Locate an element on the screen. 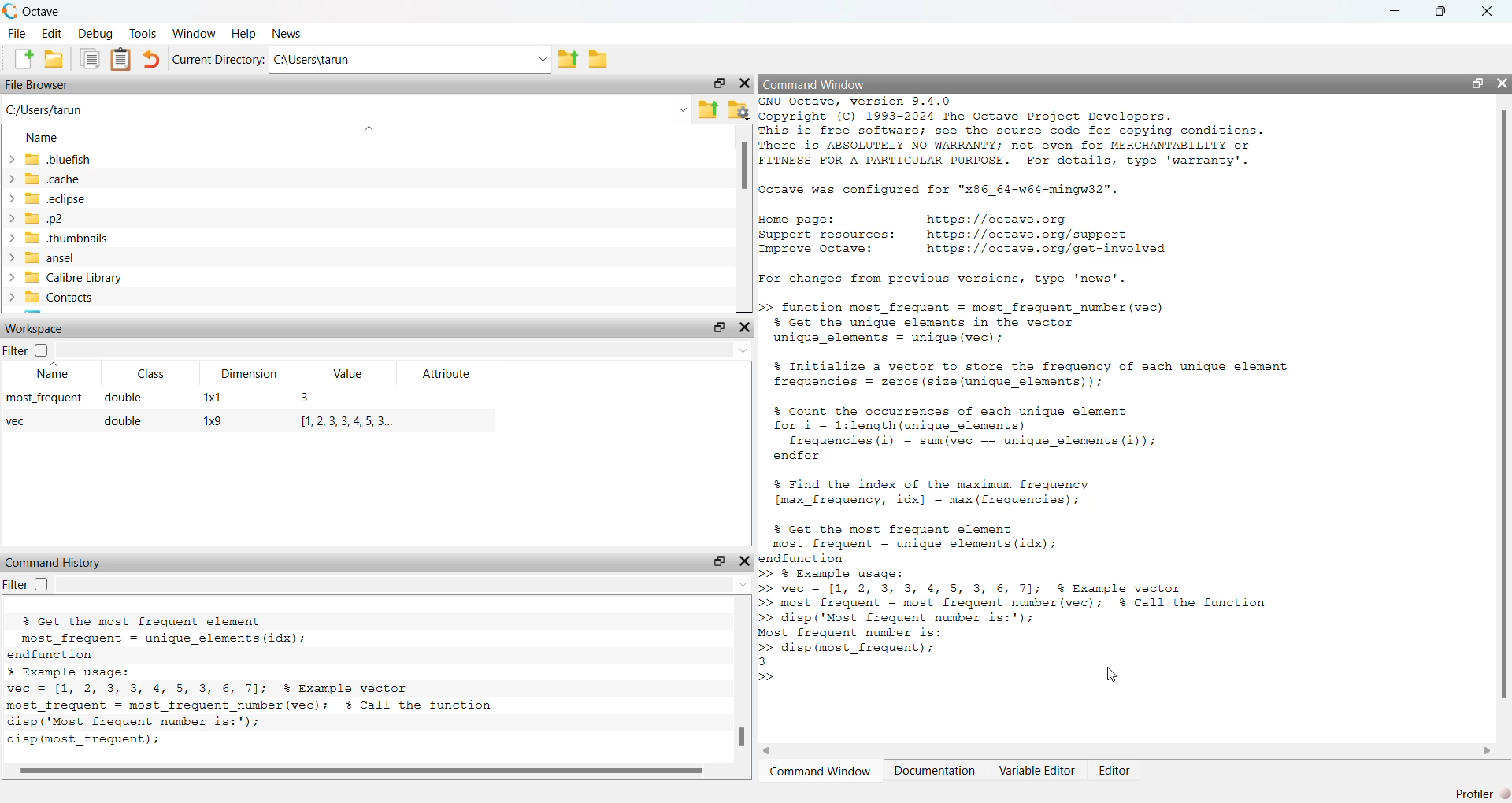 This screenshot has width=1512, height=803. Command History is located at coordinates (56, 562).